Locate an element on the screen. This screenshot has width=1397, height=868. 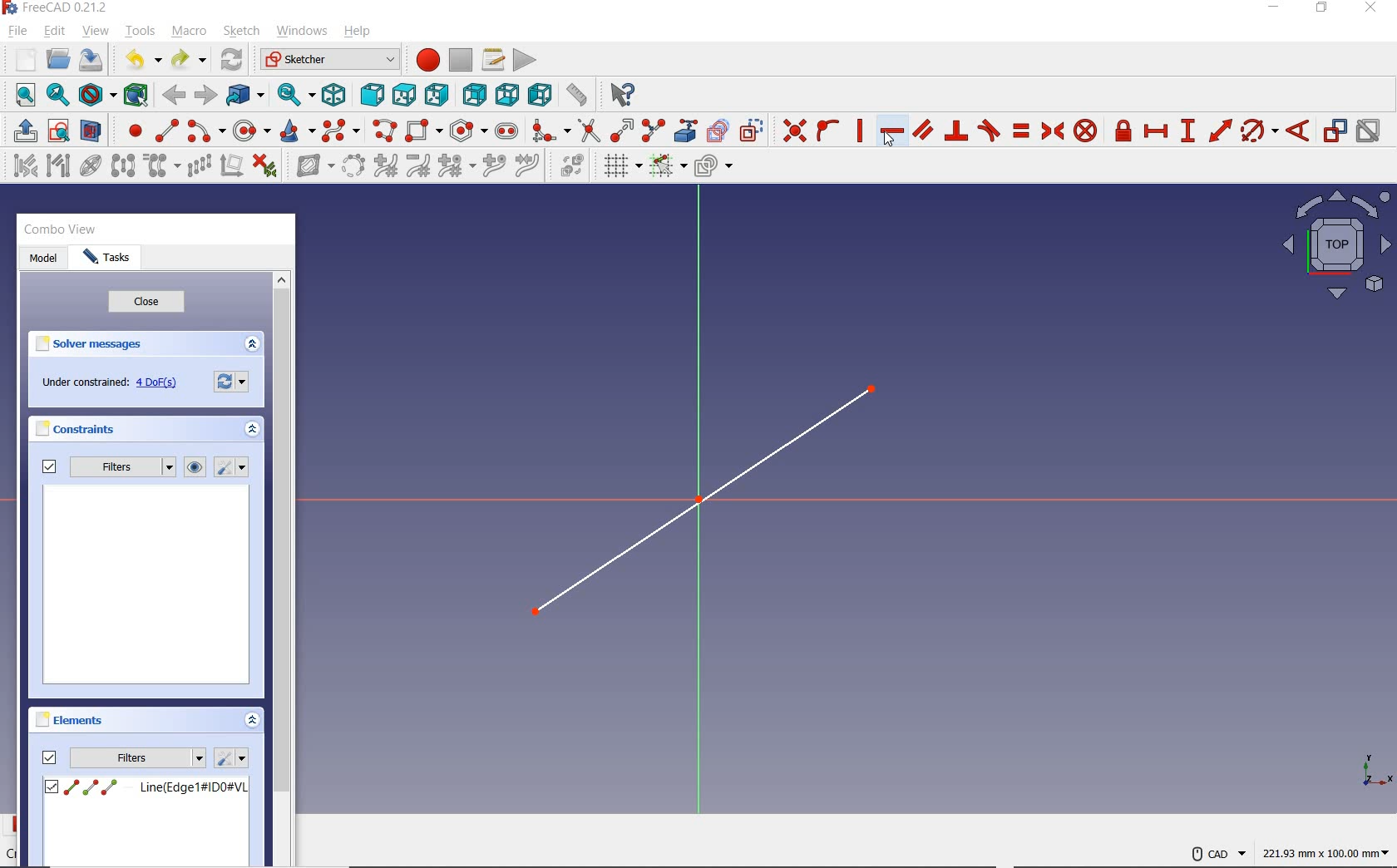
CREATE ARC is located at coordinates (206, 131).